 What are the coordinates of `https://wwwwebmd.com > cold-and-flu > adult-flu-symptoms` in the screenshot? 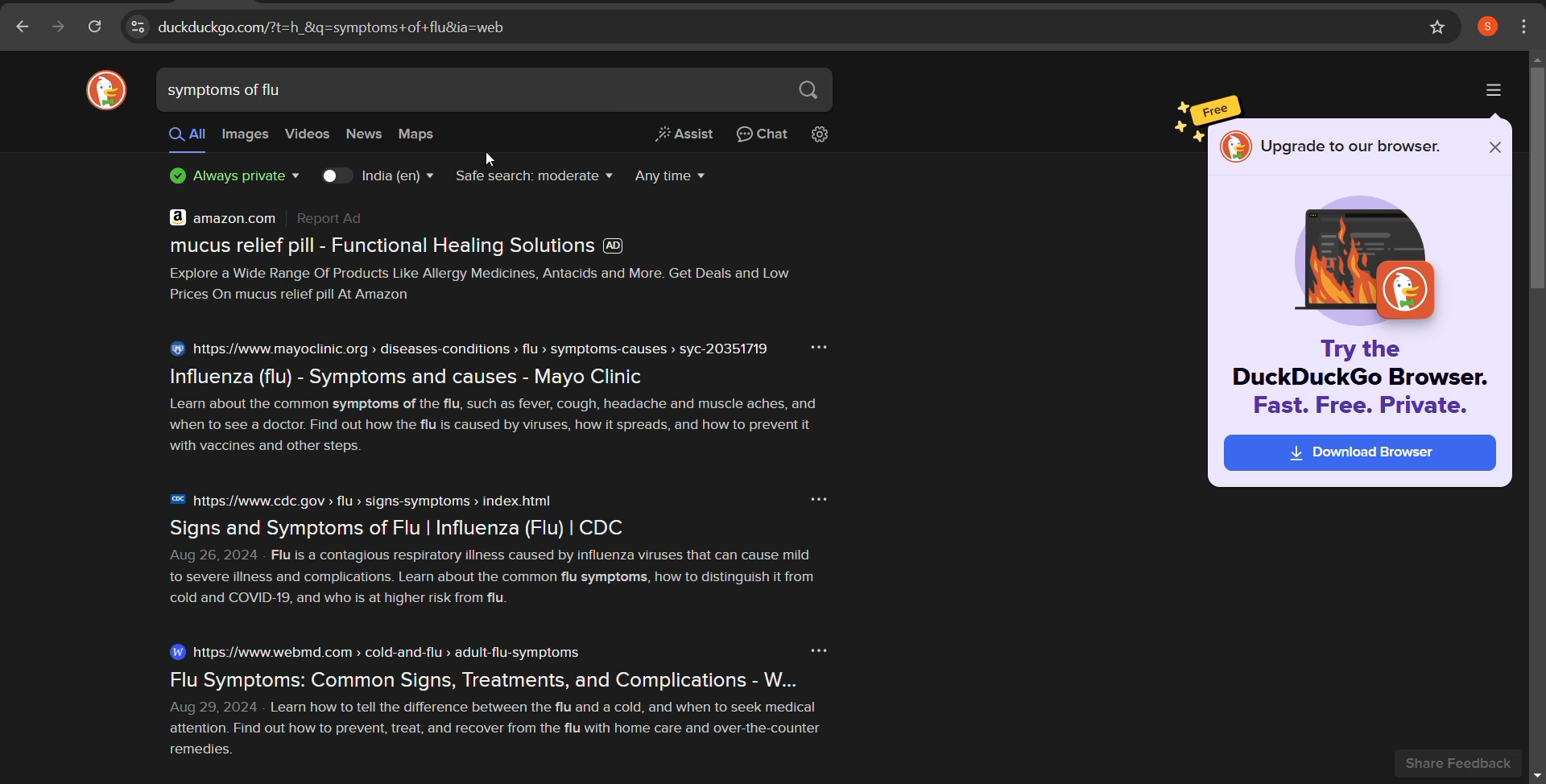 It's located at (375, 651).